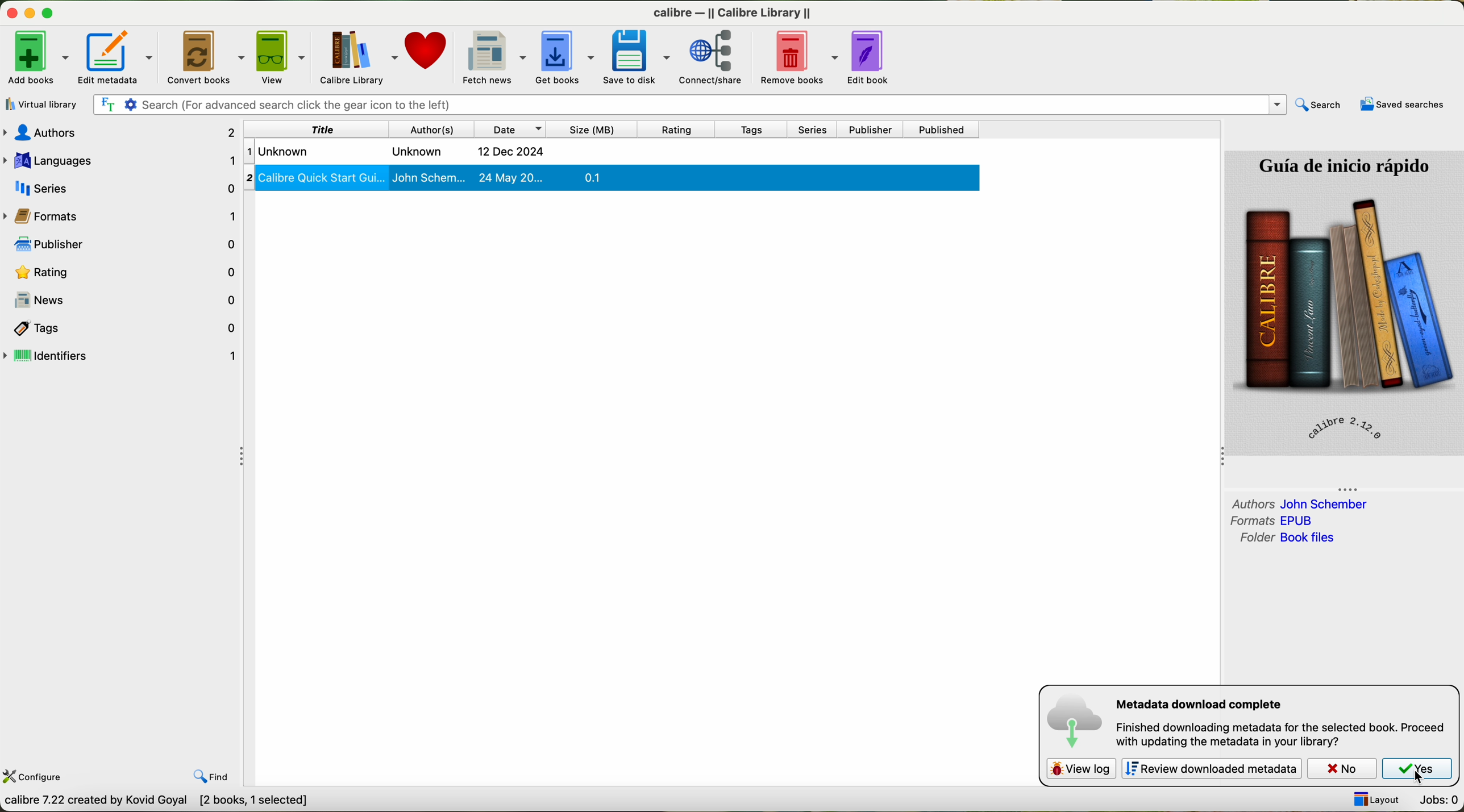 The height and width of the screenshot is (812, 1464). What do you see at coordinates (1080, 767) in the screenshot?
I see `view log` at bounding box center [1080, 767].